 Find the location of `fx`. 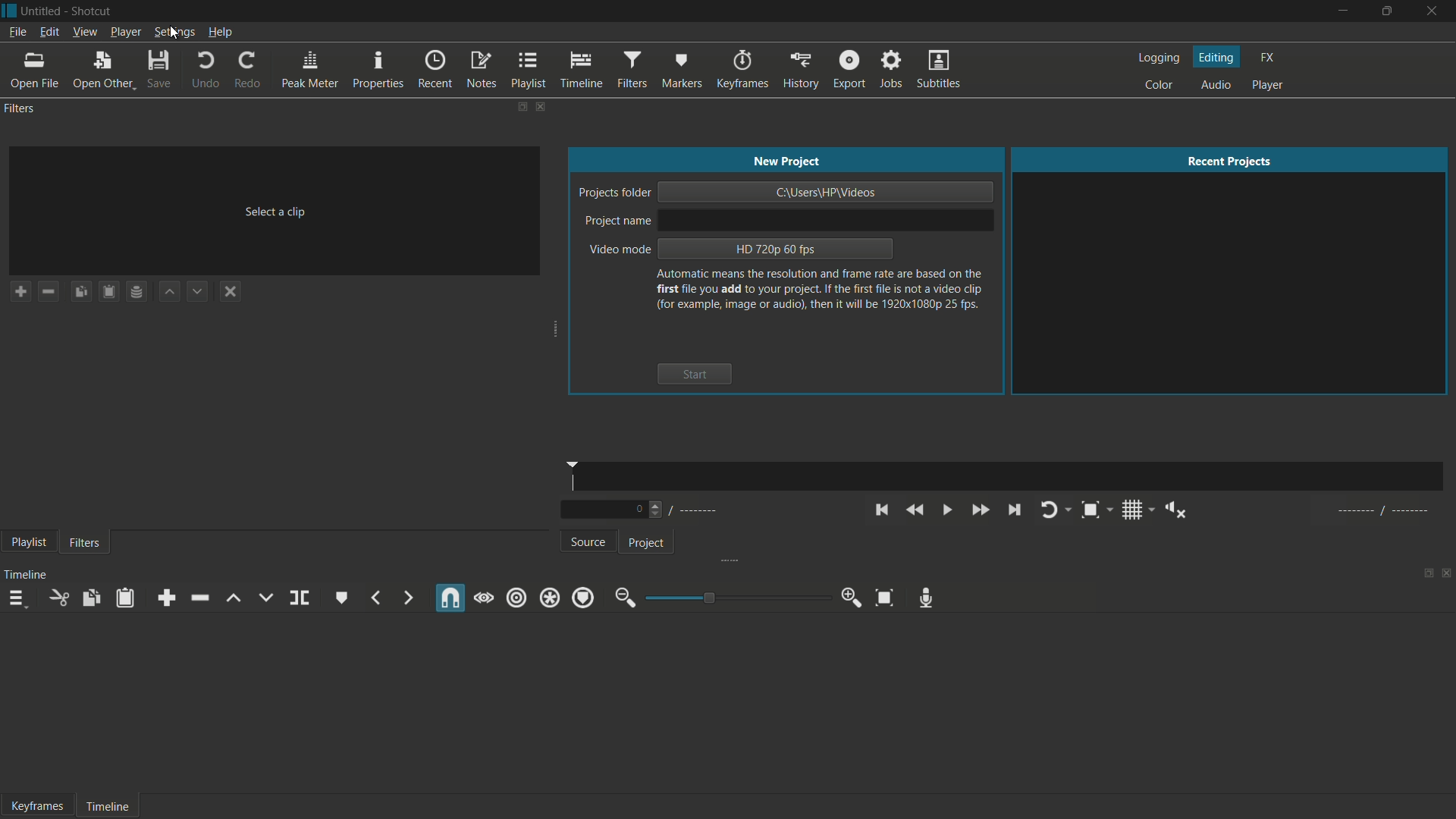

fx is located at coordinates (1267, 58).